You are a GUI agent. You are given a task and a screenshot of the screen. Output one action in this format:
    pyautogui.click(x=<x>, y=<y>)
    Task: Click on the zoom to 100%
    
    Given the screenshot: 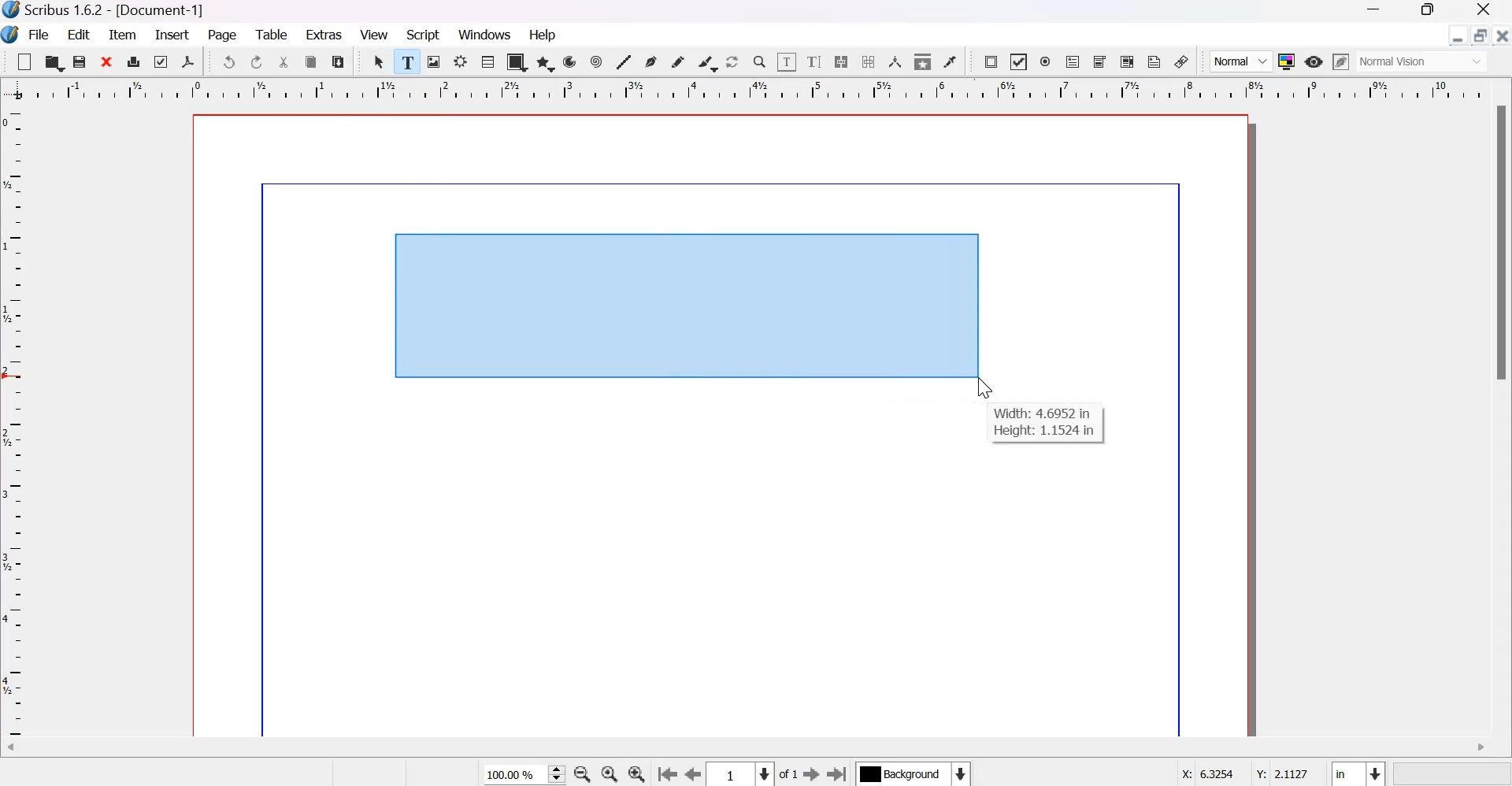 What is the action you would take?
    pyautogui.click(x=611, y=774)
    